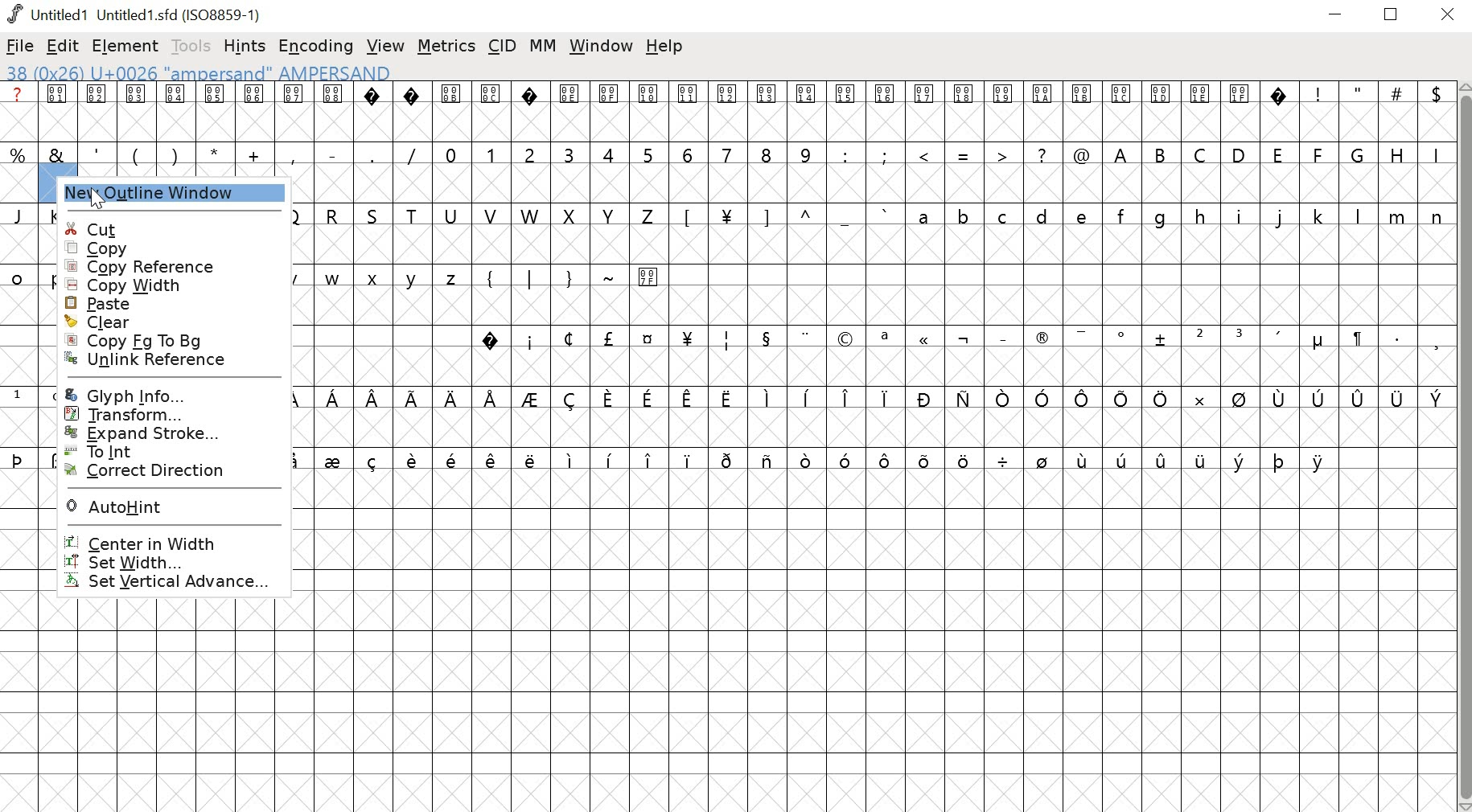  I want to click on 001B, so click(1079, 111).